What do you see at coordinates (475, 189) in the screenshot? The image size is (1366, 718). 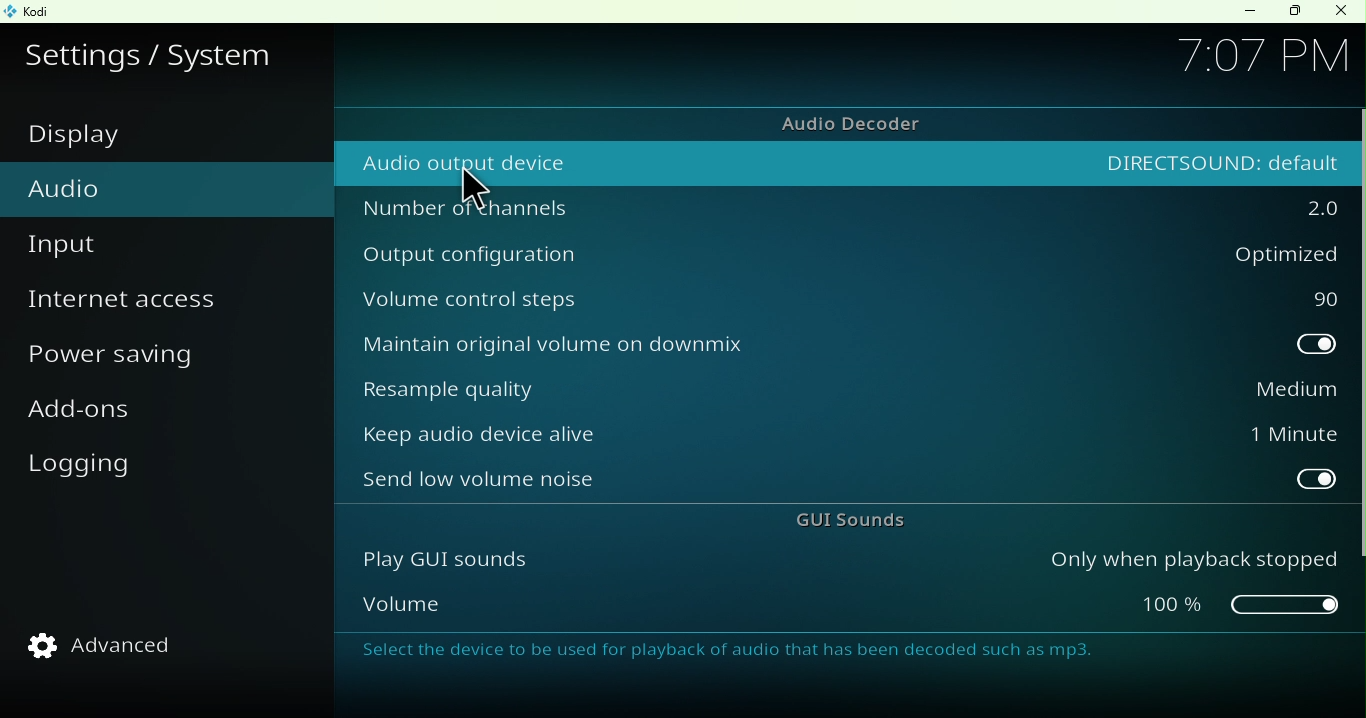 I see `Cursor` at bounding box center [475, 189].